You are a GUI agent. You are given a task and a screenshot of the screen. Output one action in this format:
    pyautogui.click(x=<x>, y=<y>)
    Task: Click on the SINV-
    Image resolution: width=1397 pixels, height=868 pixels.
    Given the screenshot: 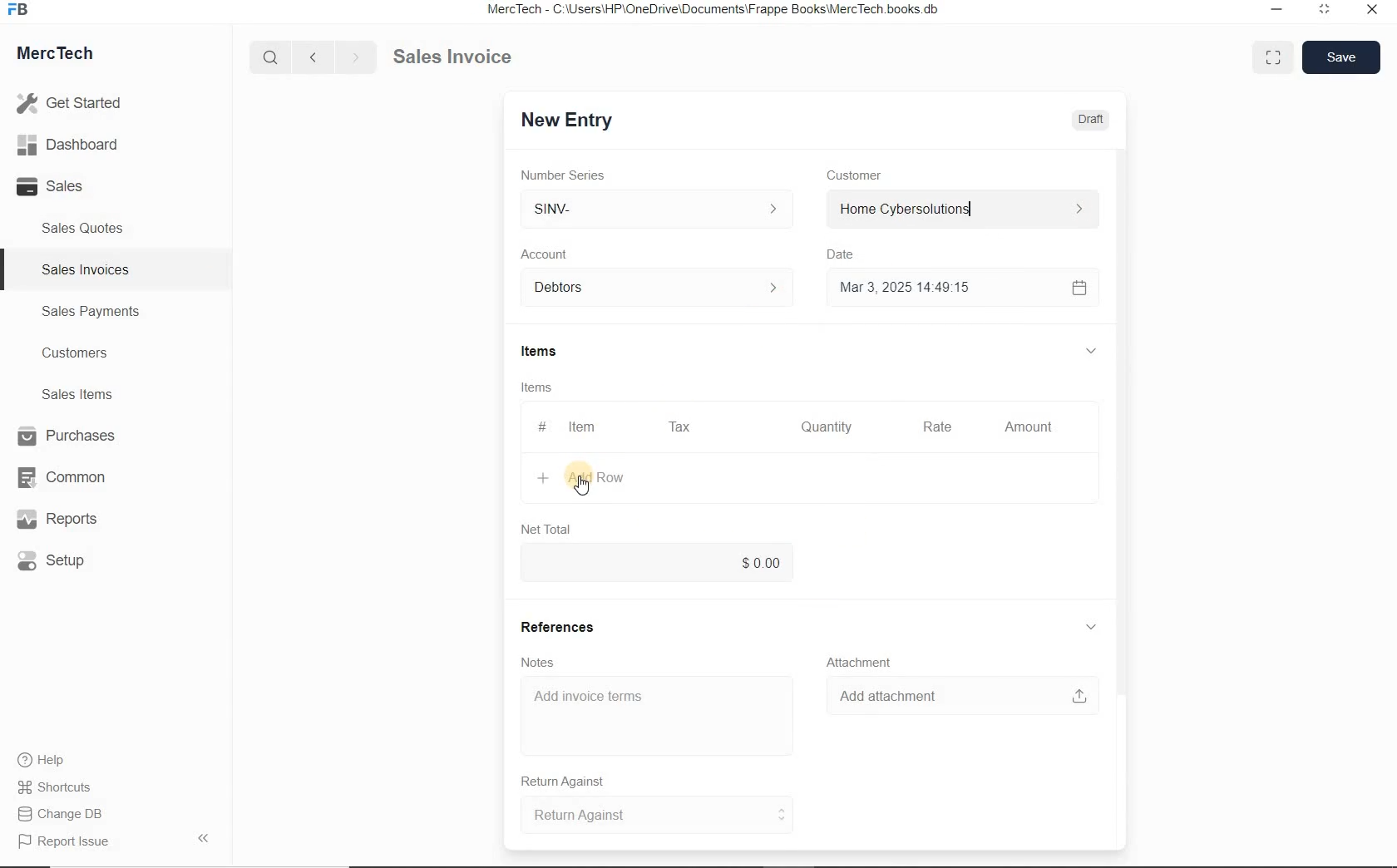 What is the action you would take?
    pyautogui.click(x=655, y=210)
    